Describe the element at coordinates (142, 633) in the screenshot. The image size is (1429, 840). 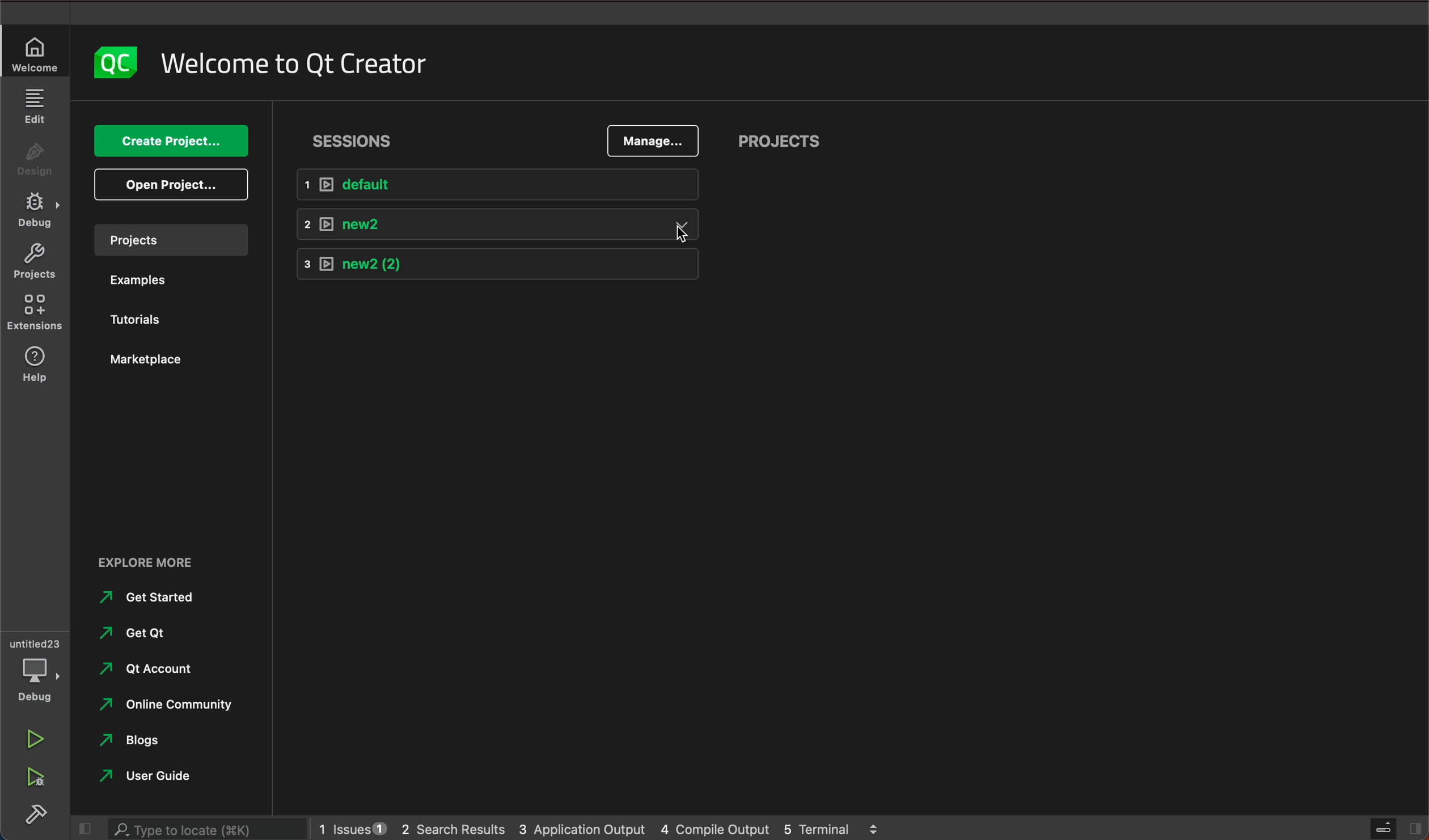
I see `Get qt` at that location.